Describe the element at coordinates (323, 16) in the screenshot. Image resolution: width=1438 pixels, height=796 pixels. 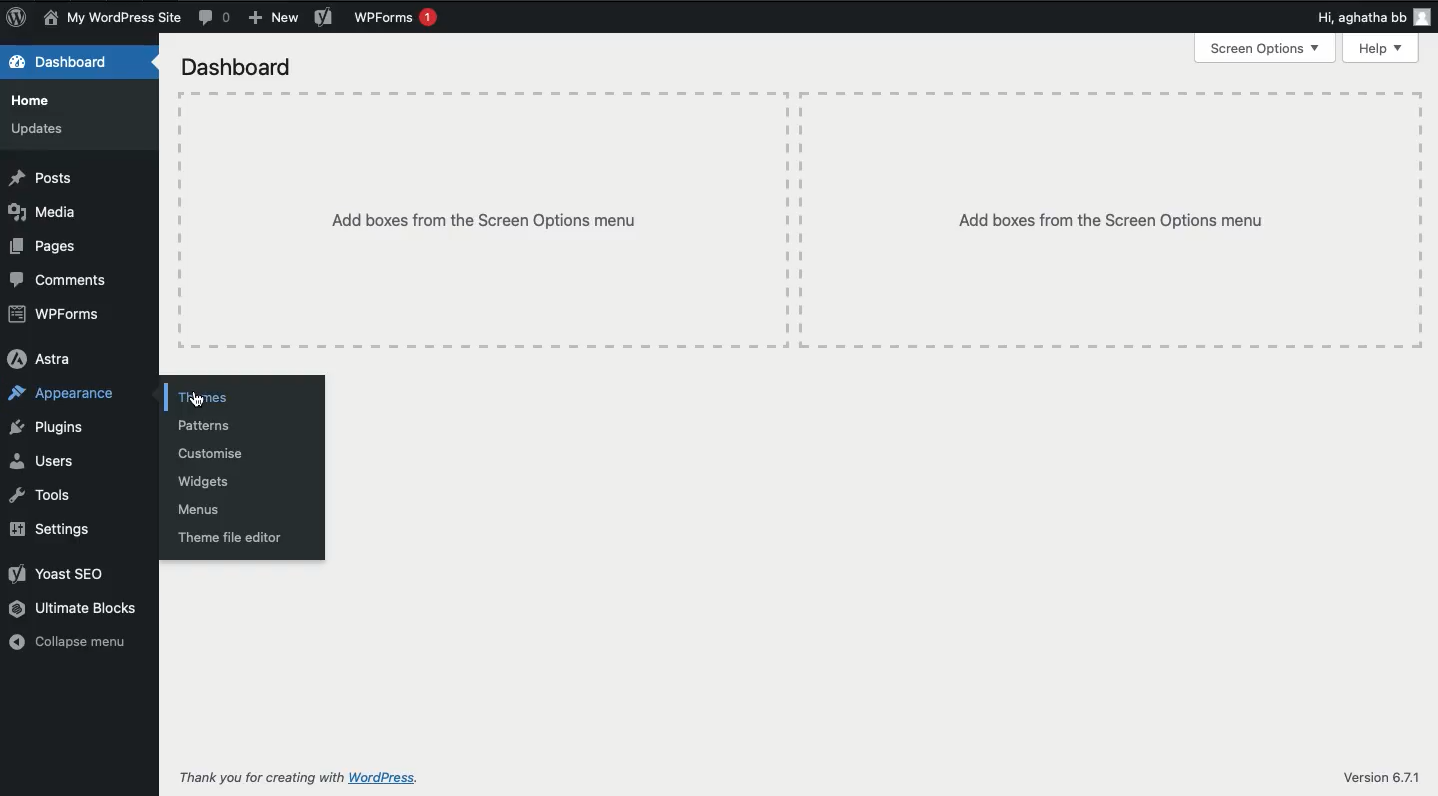
I see `Yoast` at that location.